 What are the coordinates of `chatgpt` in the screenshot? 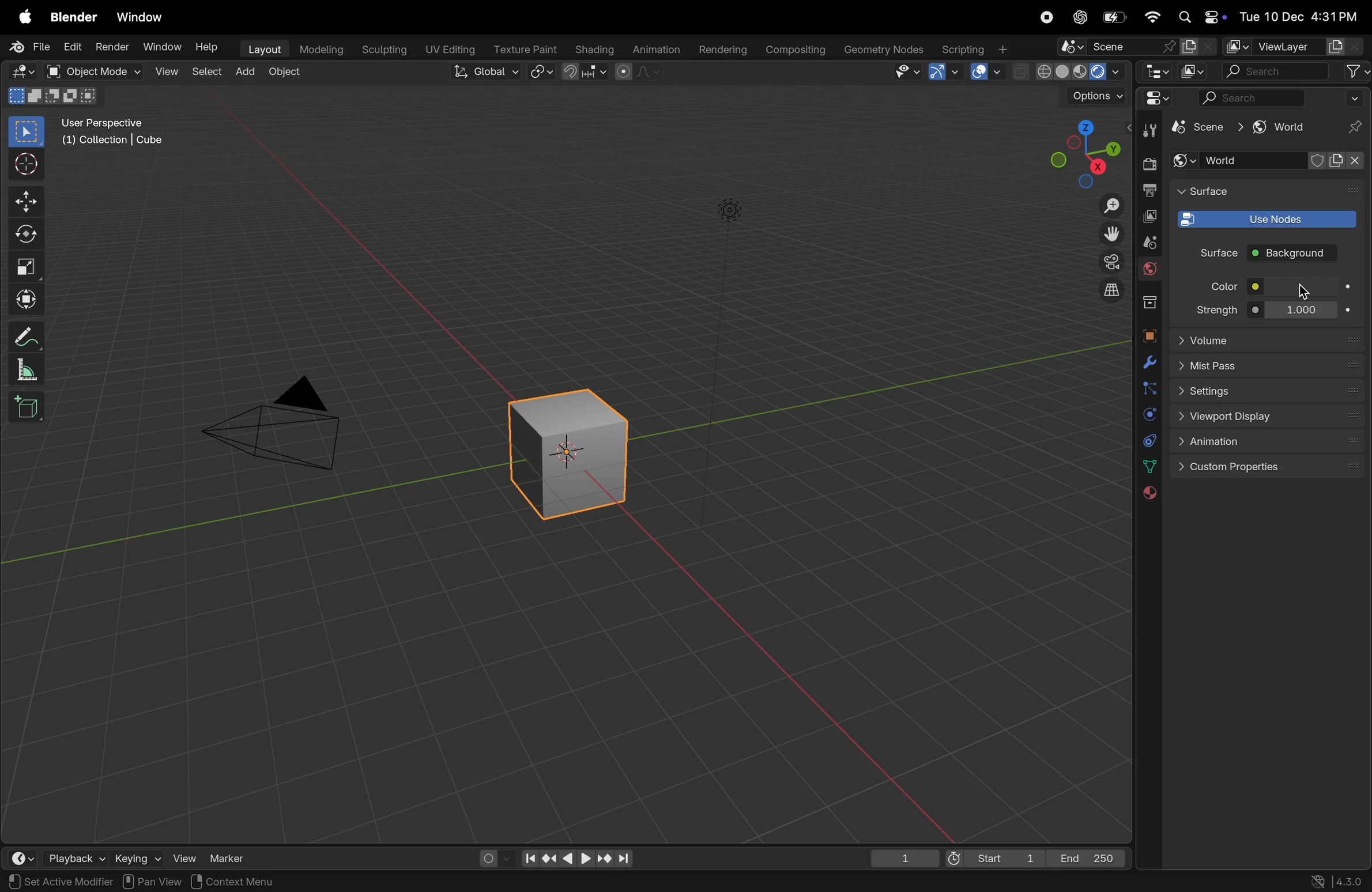 It's located at (1081, 17).